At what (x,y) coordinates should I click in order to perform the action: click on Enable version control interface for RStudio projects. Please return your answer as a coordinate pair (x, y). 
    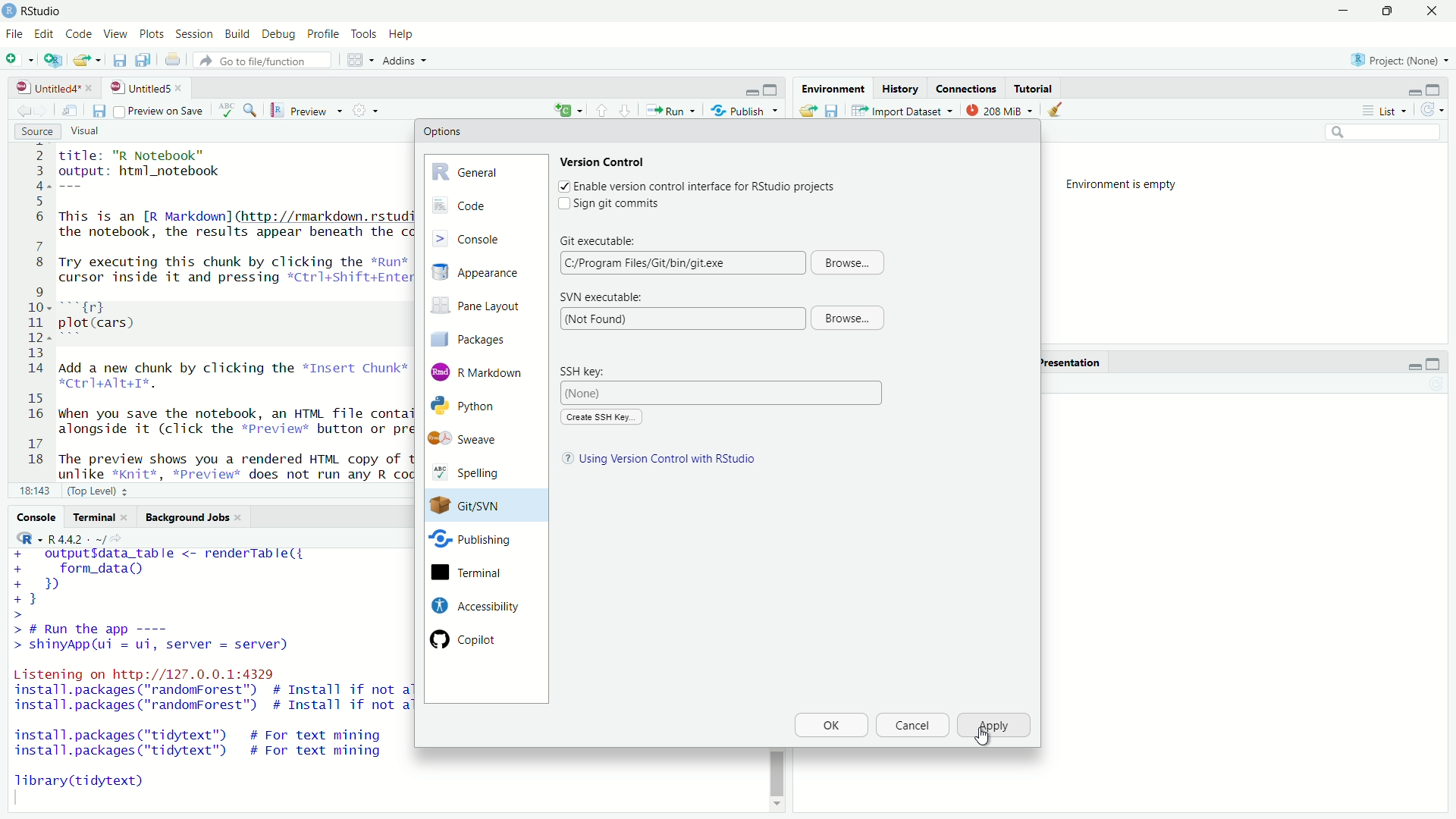
    Looking at the image, I should click on (705, 187).